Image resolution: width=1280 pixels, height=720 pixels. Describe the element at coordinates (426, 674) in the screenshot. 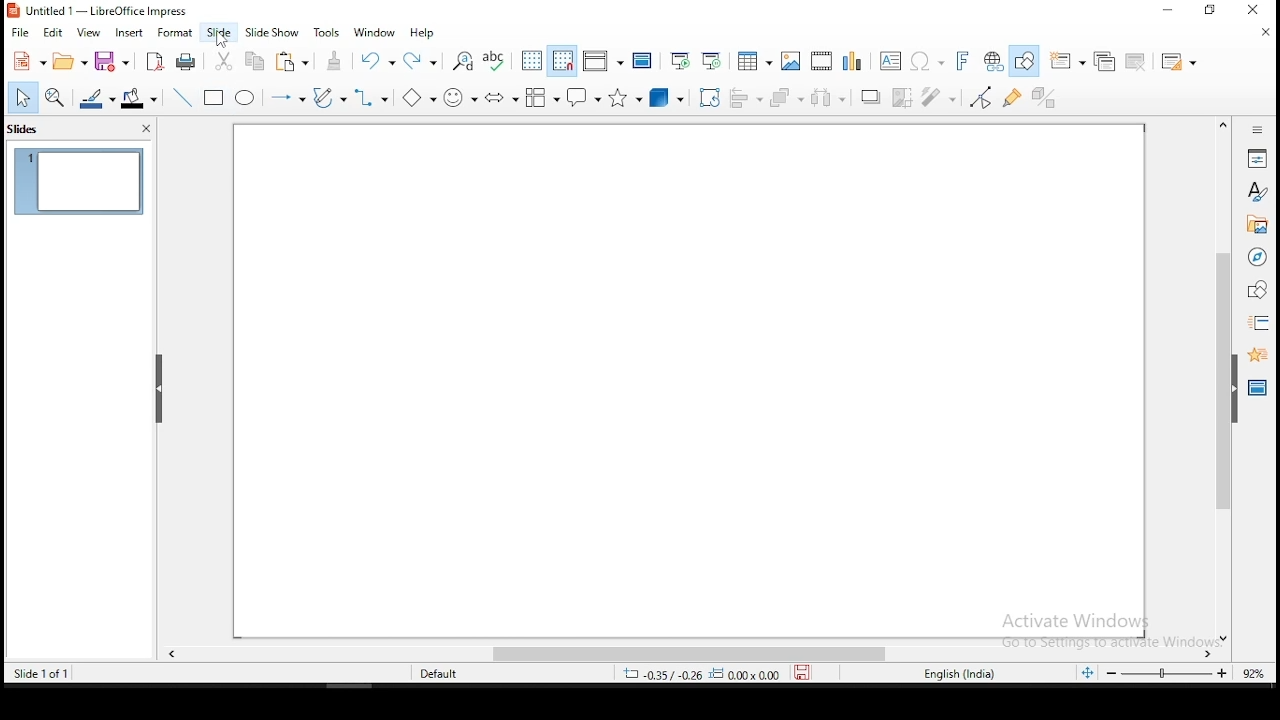

I see `default` at that location.